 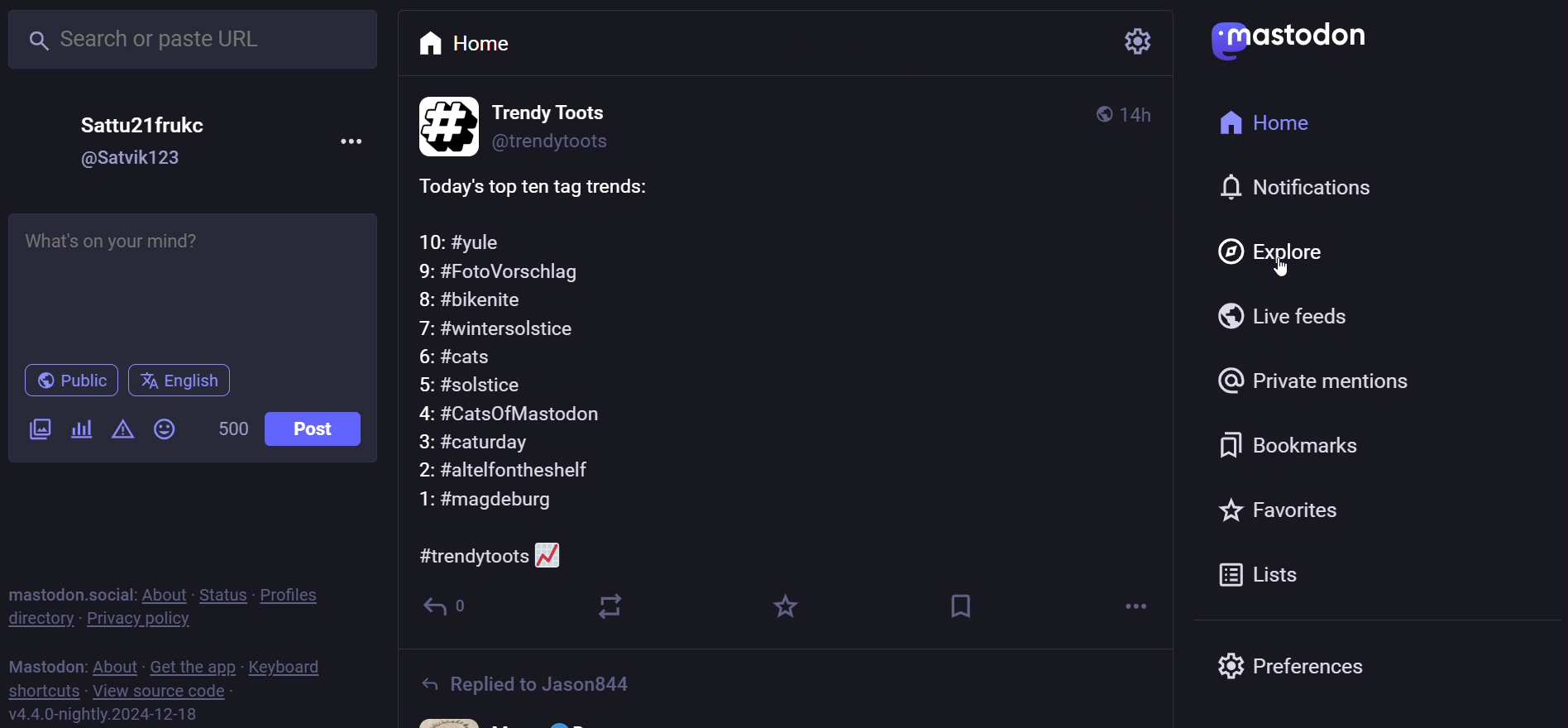 What do you see at coordinates (160, 124) in the screenshot?
I see `Sattu21frukc` at bounding box center [160, 124].